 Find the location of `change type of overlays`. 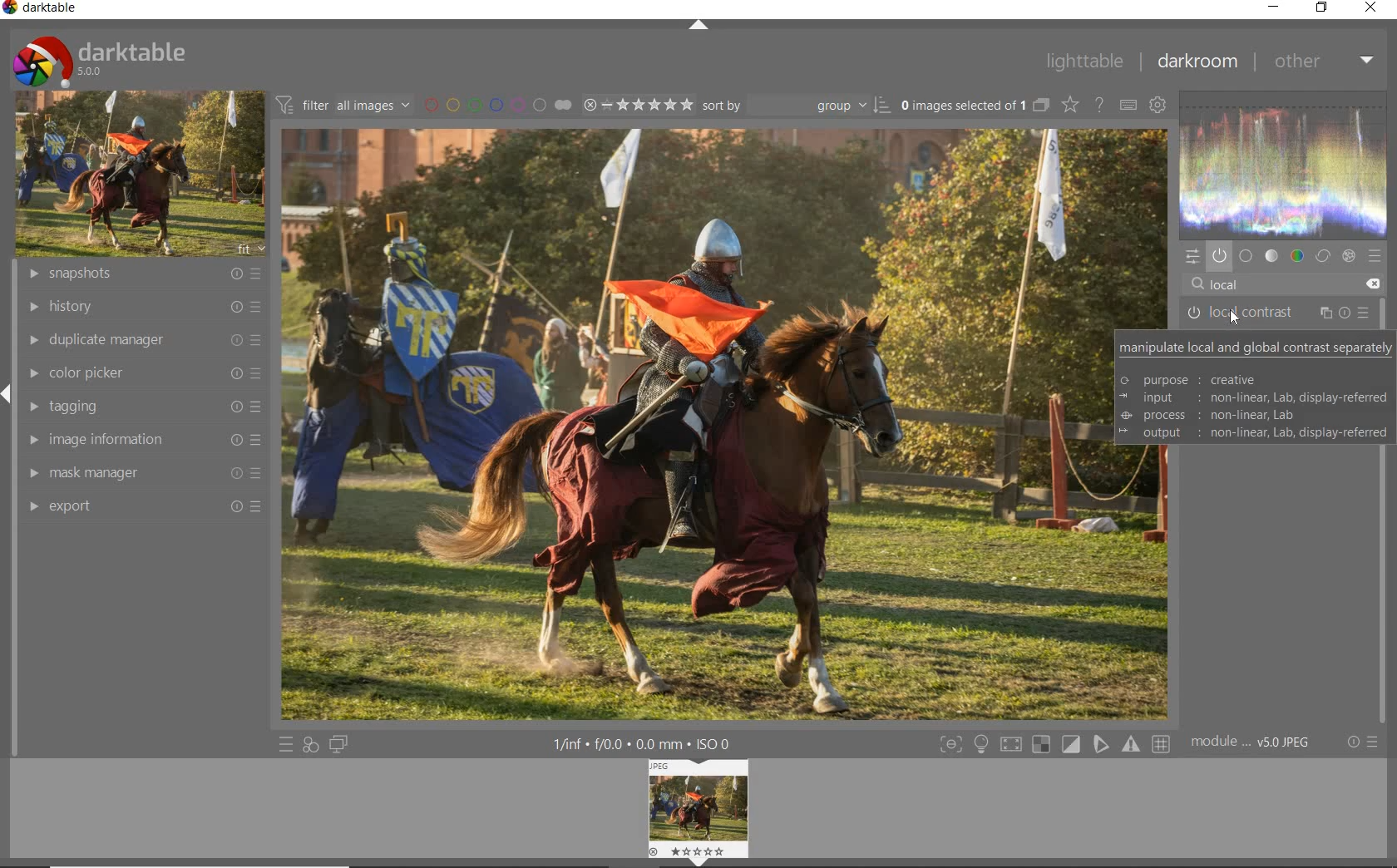

change type of overlays is located at coordinates (1071, 104).